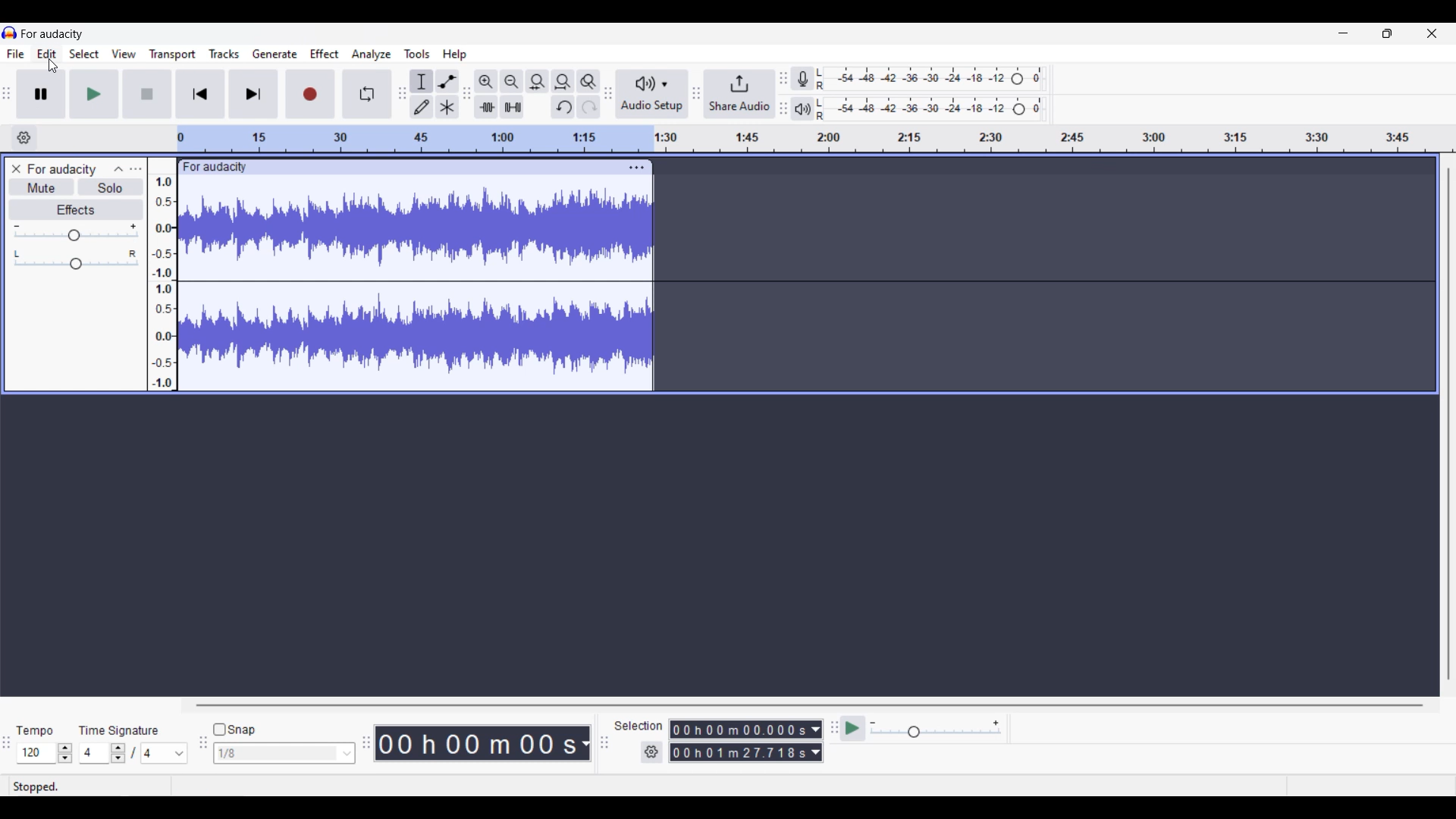 This screenshot has width=1456, height=819. I want to click on Collapse , so click(119, 169).